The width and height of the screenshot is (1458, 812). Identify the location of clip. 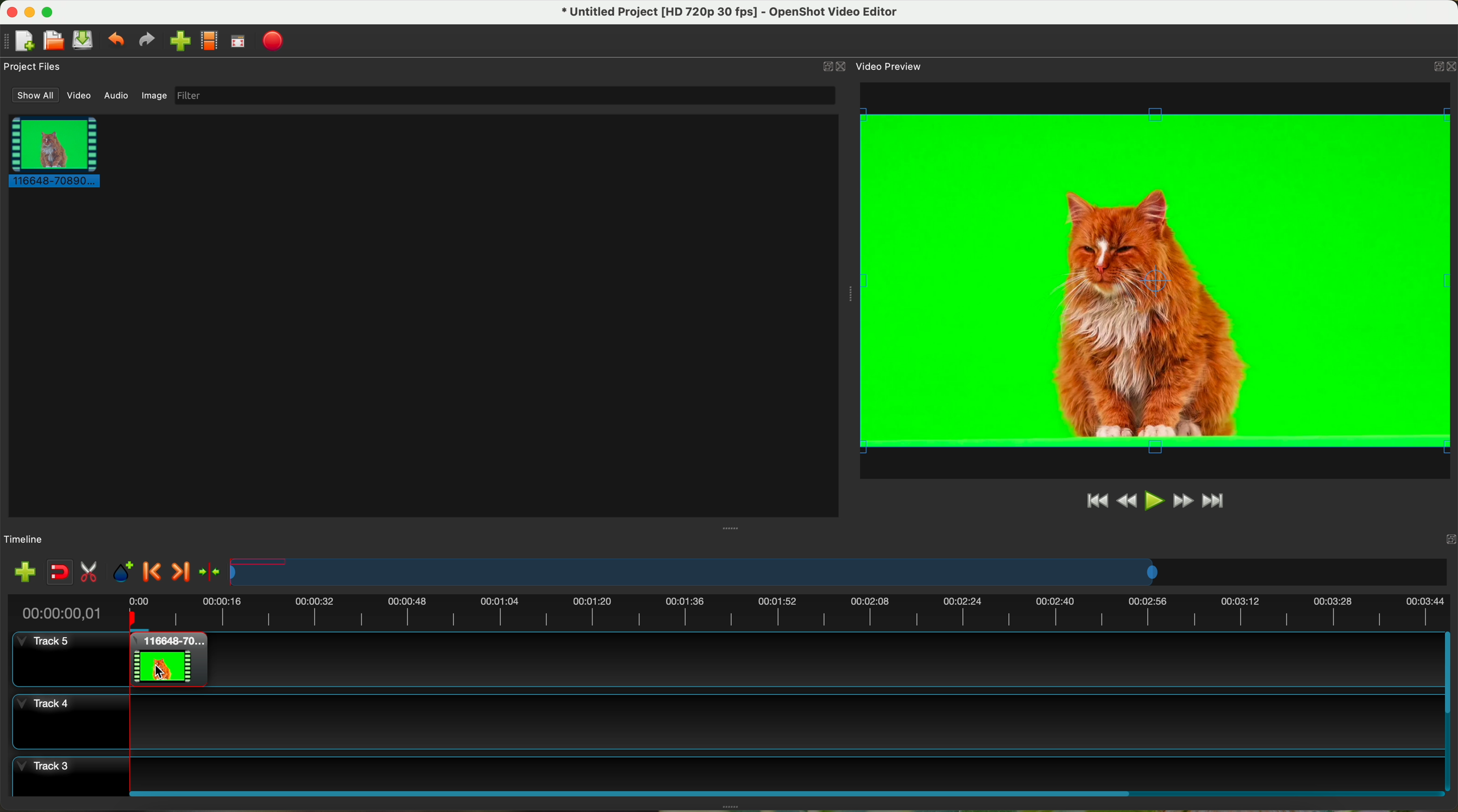
(51, 151).